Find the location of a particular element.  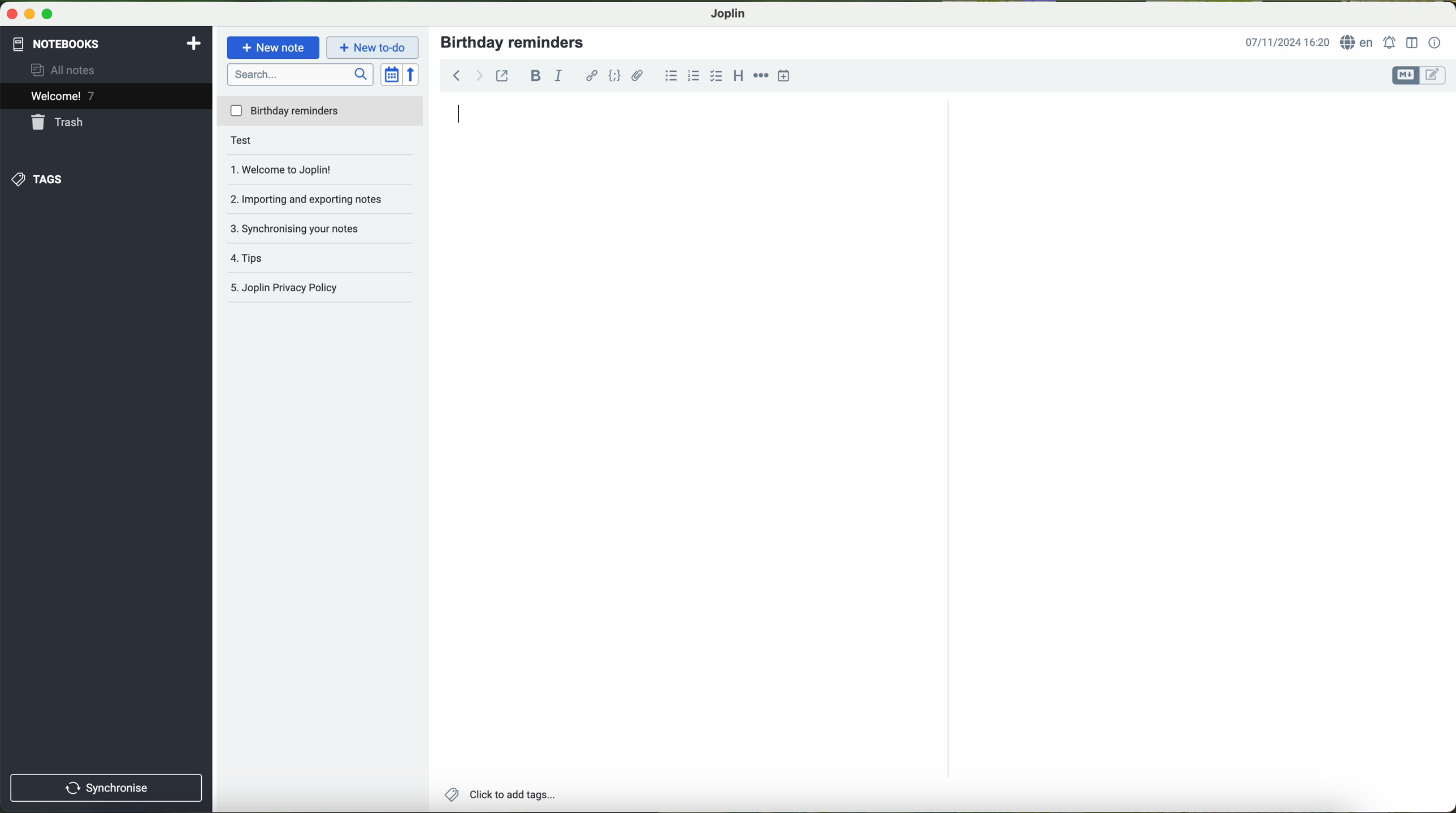

reverse sort order is located at coordinates (412, 73).